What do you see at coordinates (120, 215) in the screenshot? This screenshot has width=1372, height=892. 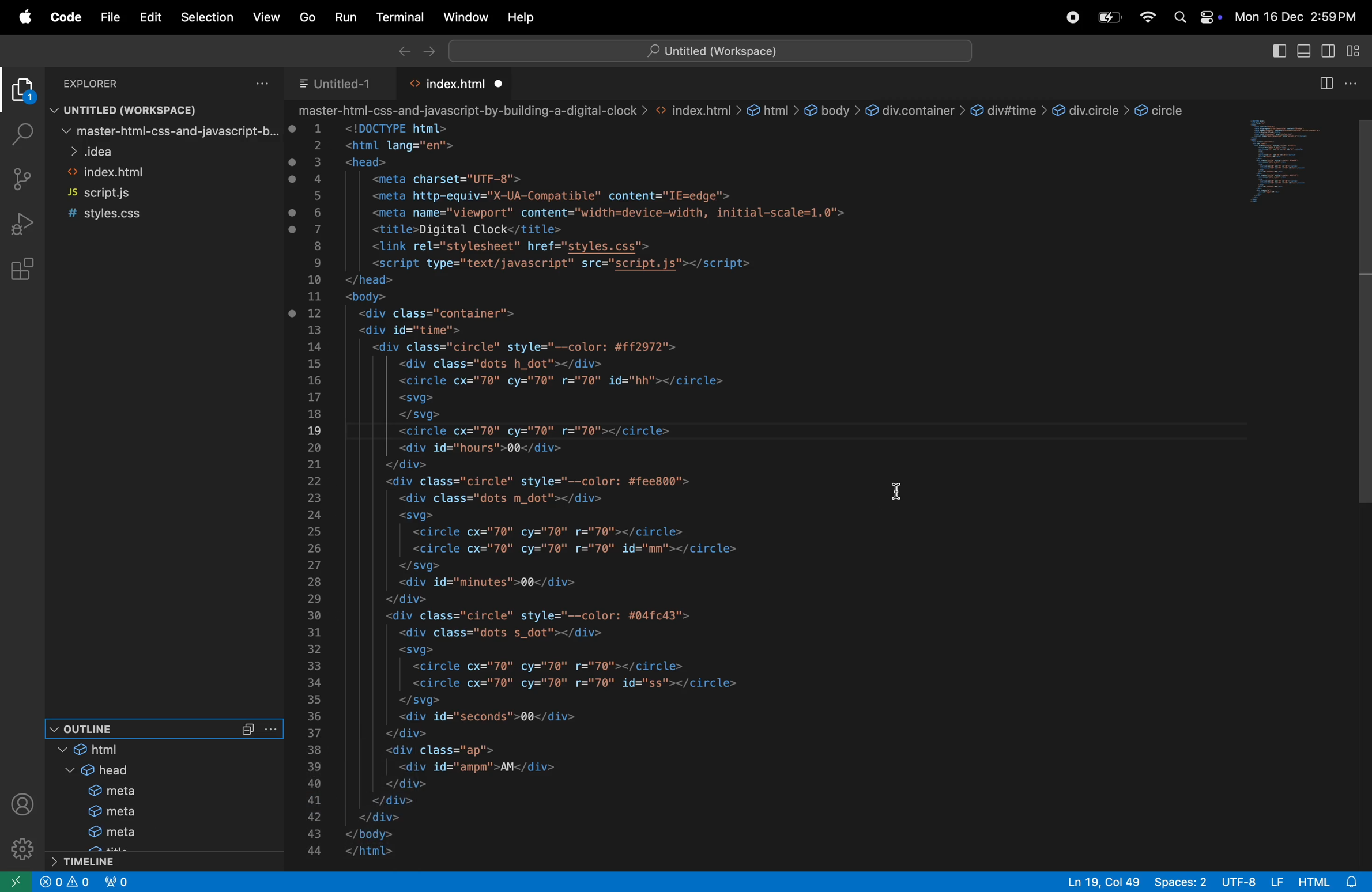 I see `style.css` at bounding box center [120, 215].